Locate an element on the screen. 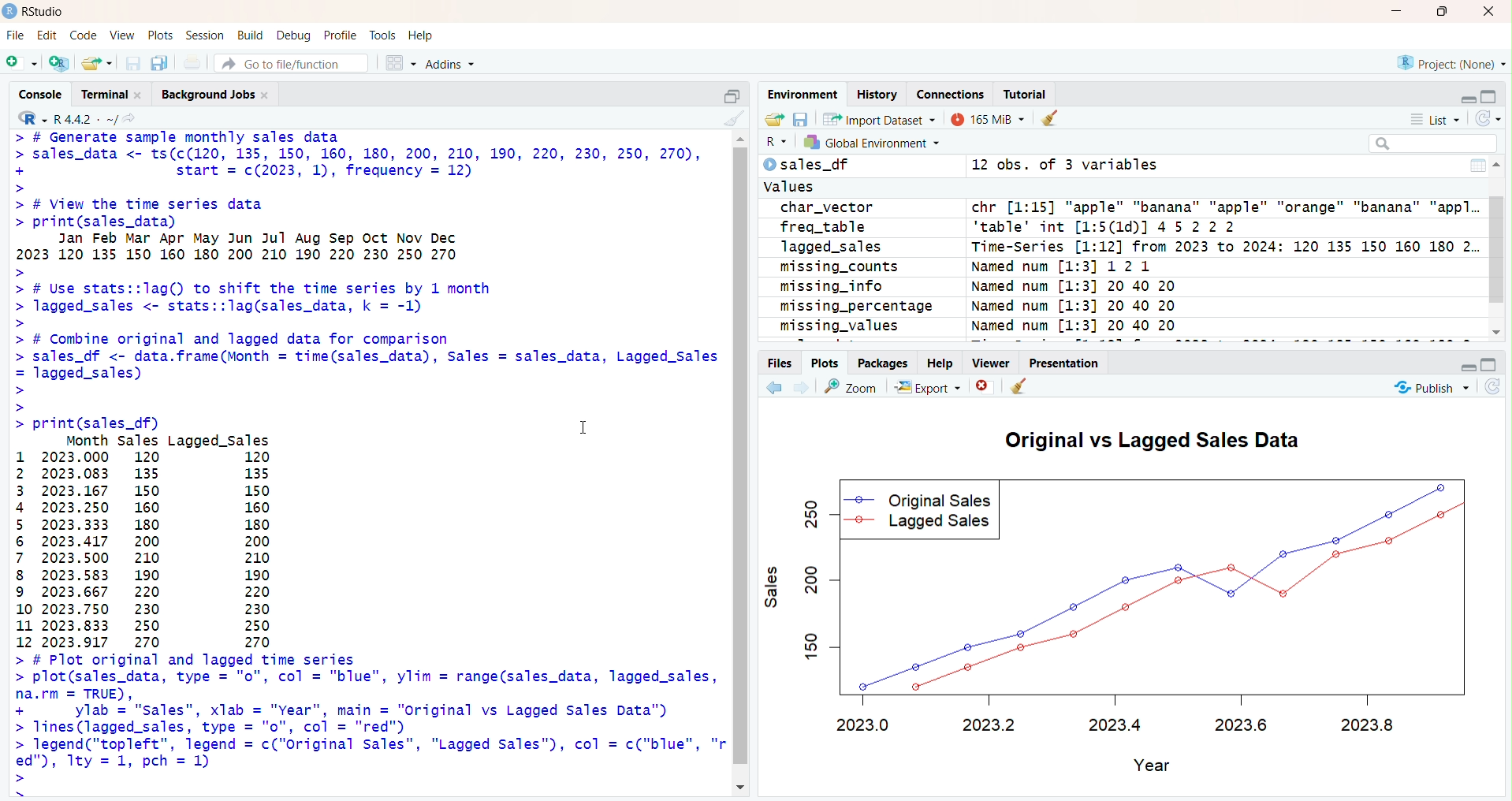  sales is located at coordinates (774, 590).